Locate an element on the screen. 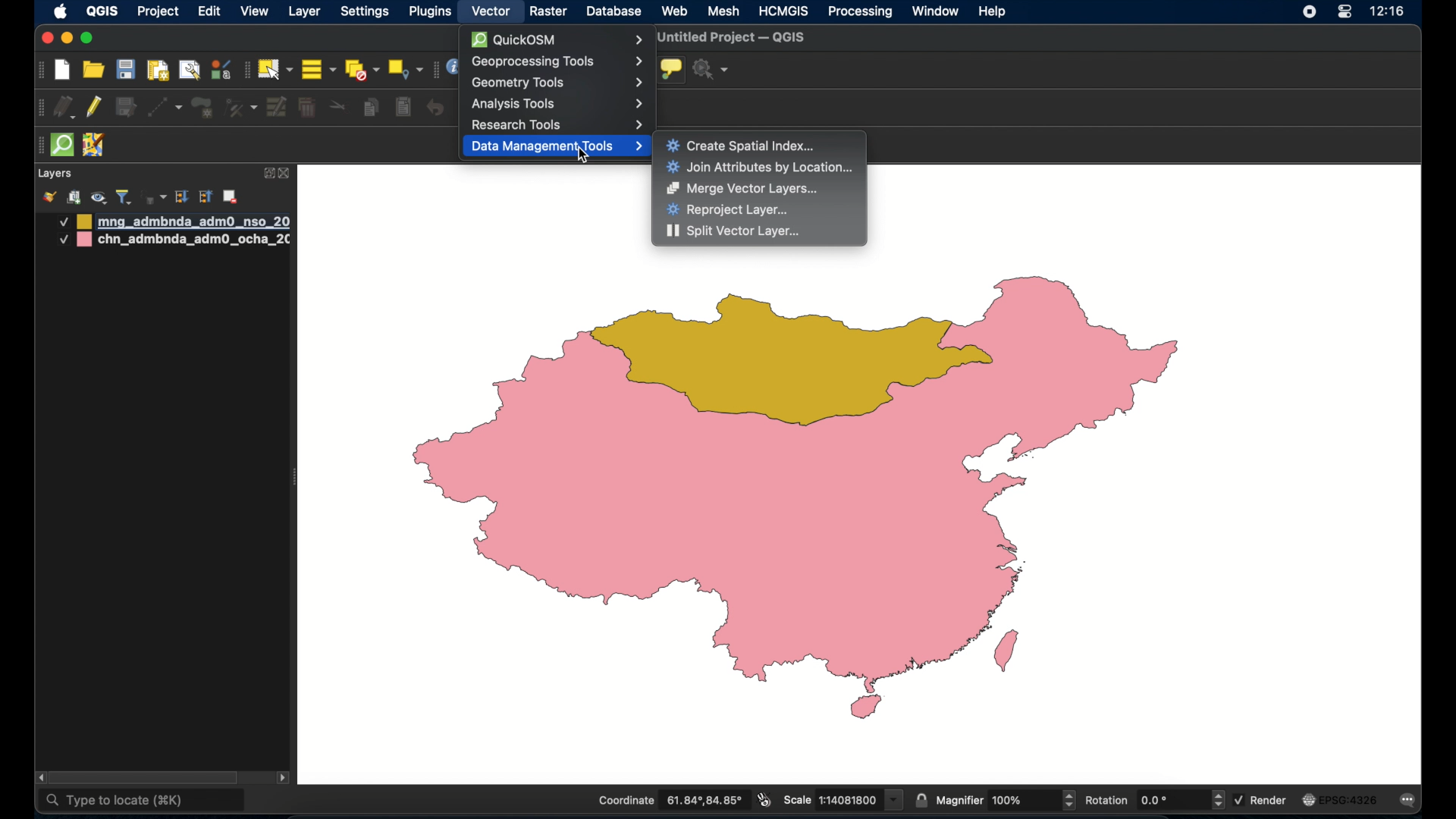 The width and height of the screenshot is (1456, 819). scroll right arrow is located at coordinates (284, 780).